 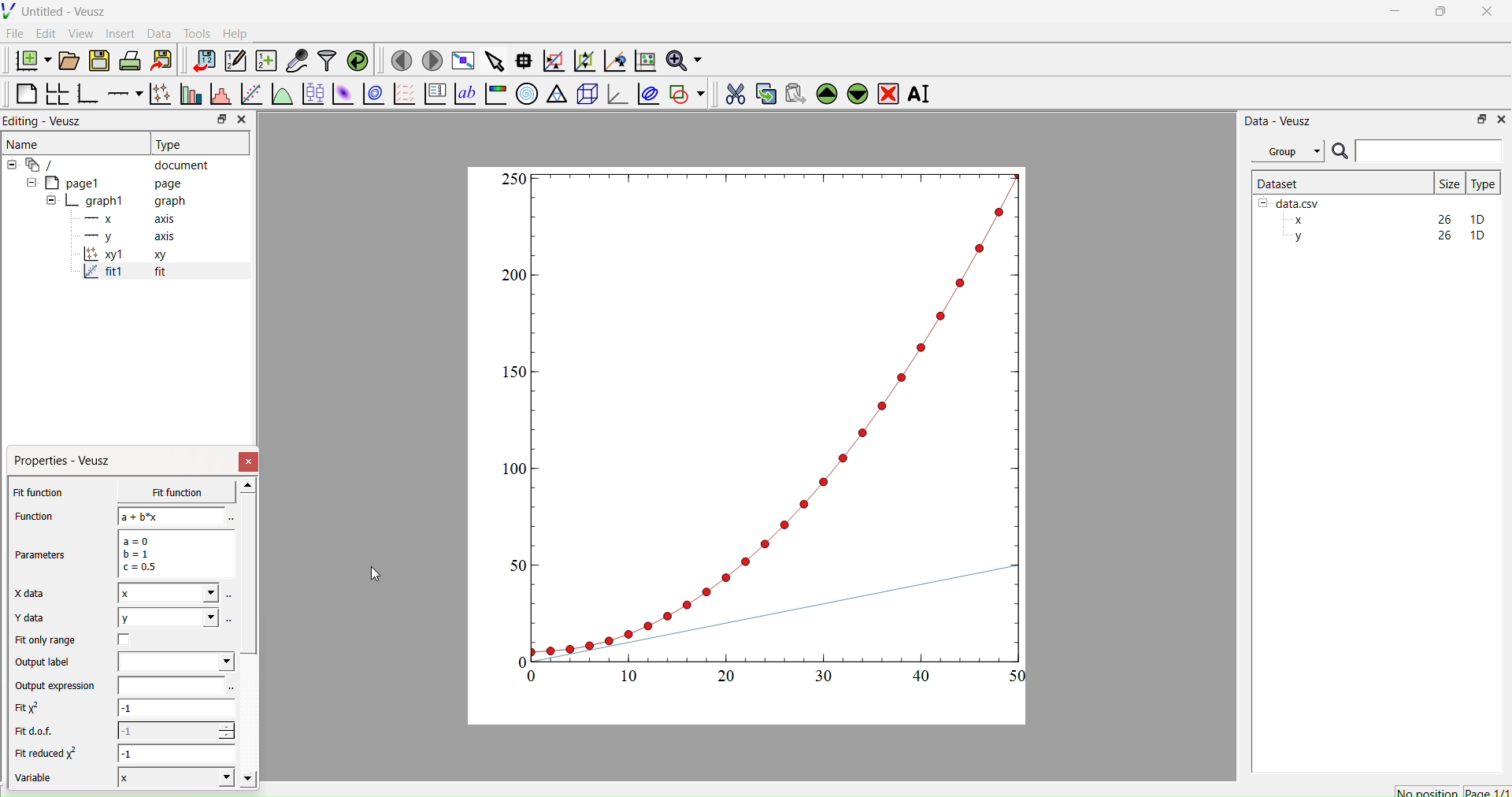 I want to click on Ternary graph, so click(x=558, y=93).